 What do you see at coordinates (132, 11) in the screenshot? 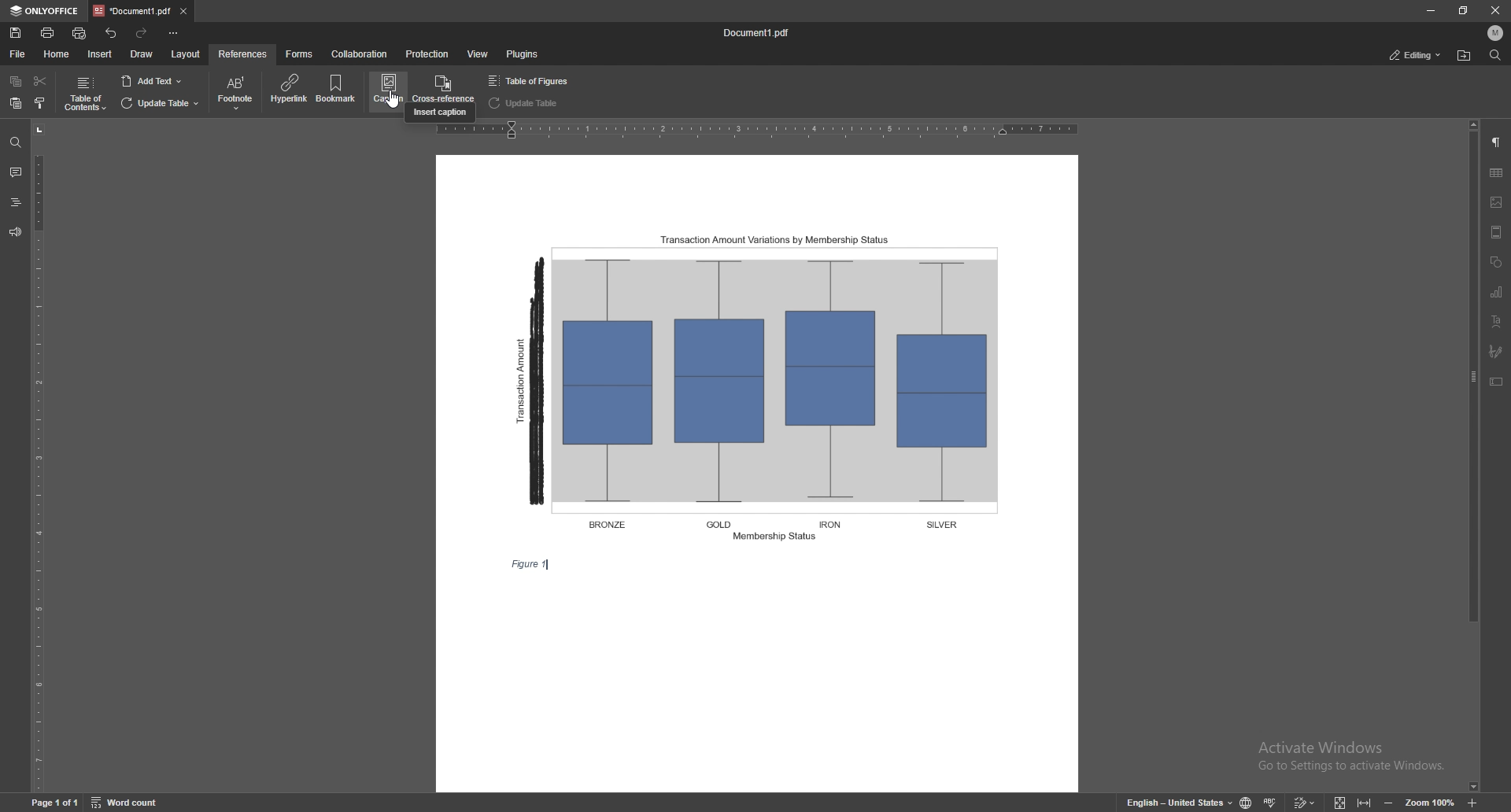
I see `tab` at bounding box center [132, 11].